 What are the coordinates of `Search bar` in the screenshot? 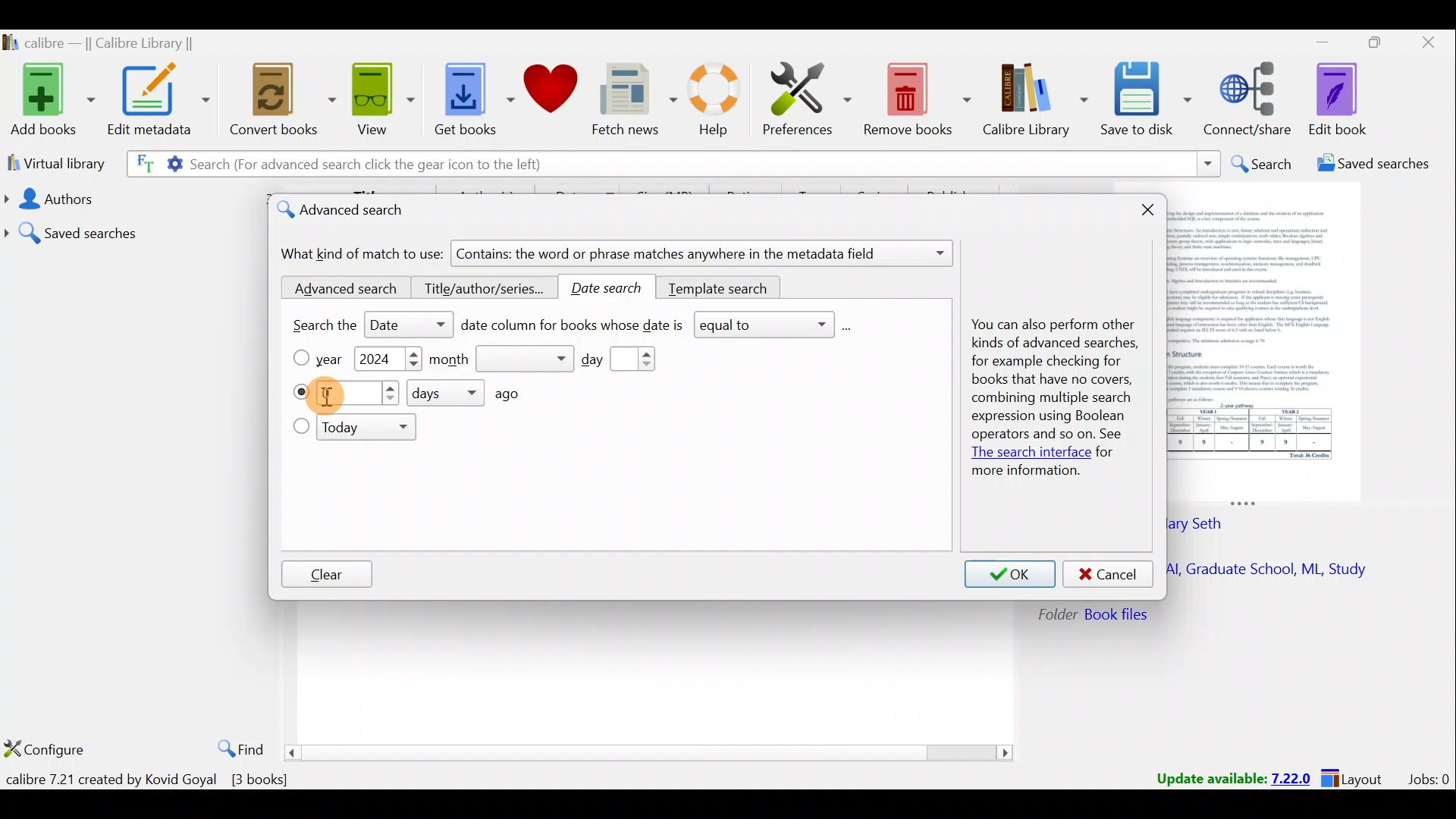 It's located at (883, 163).